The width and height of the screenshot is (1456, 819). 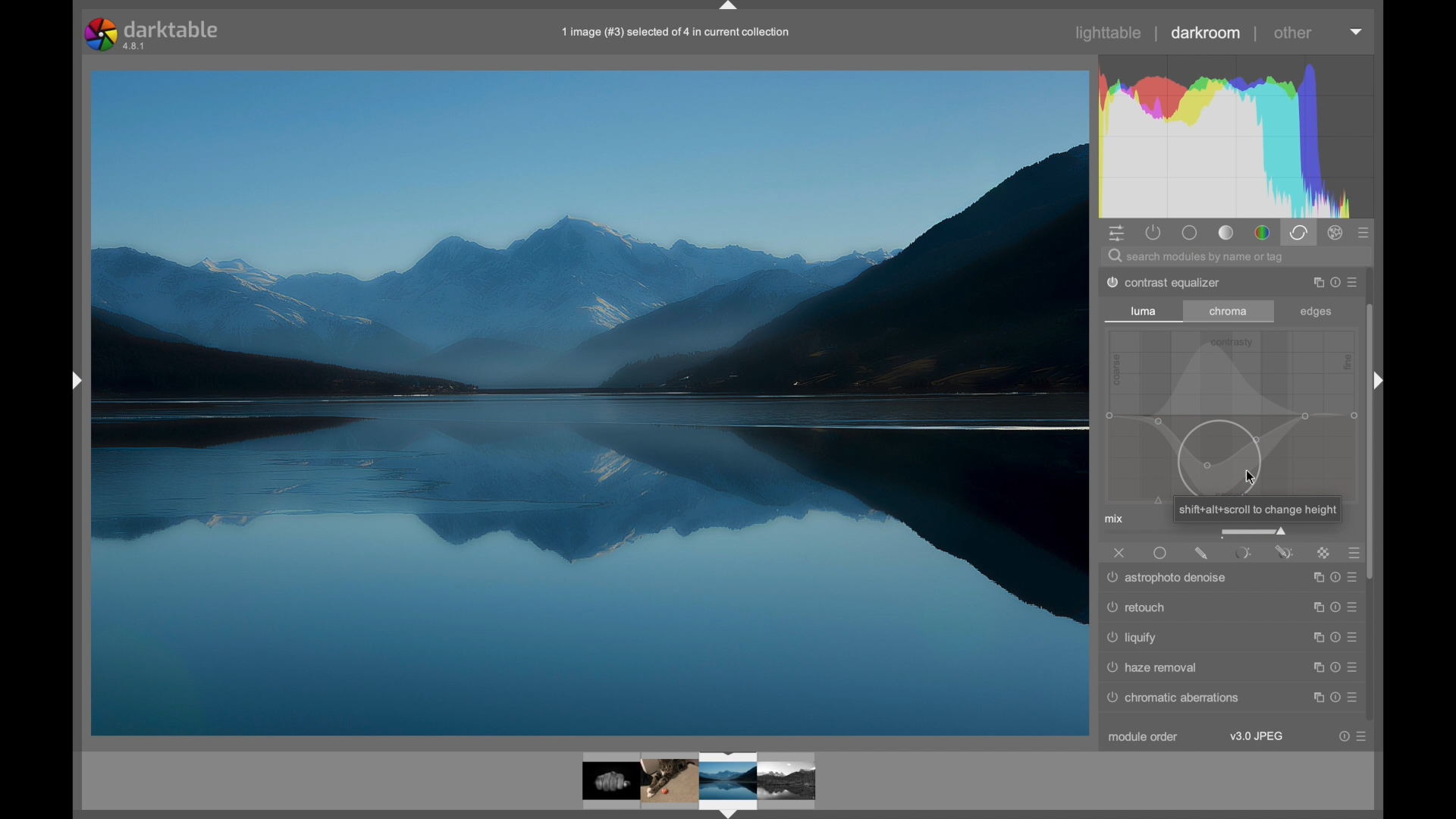 I want to click on parametric and drawn mask, so click(x=1284, y=552).